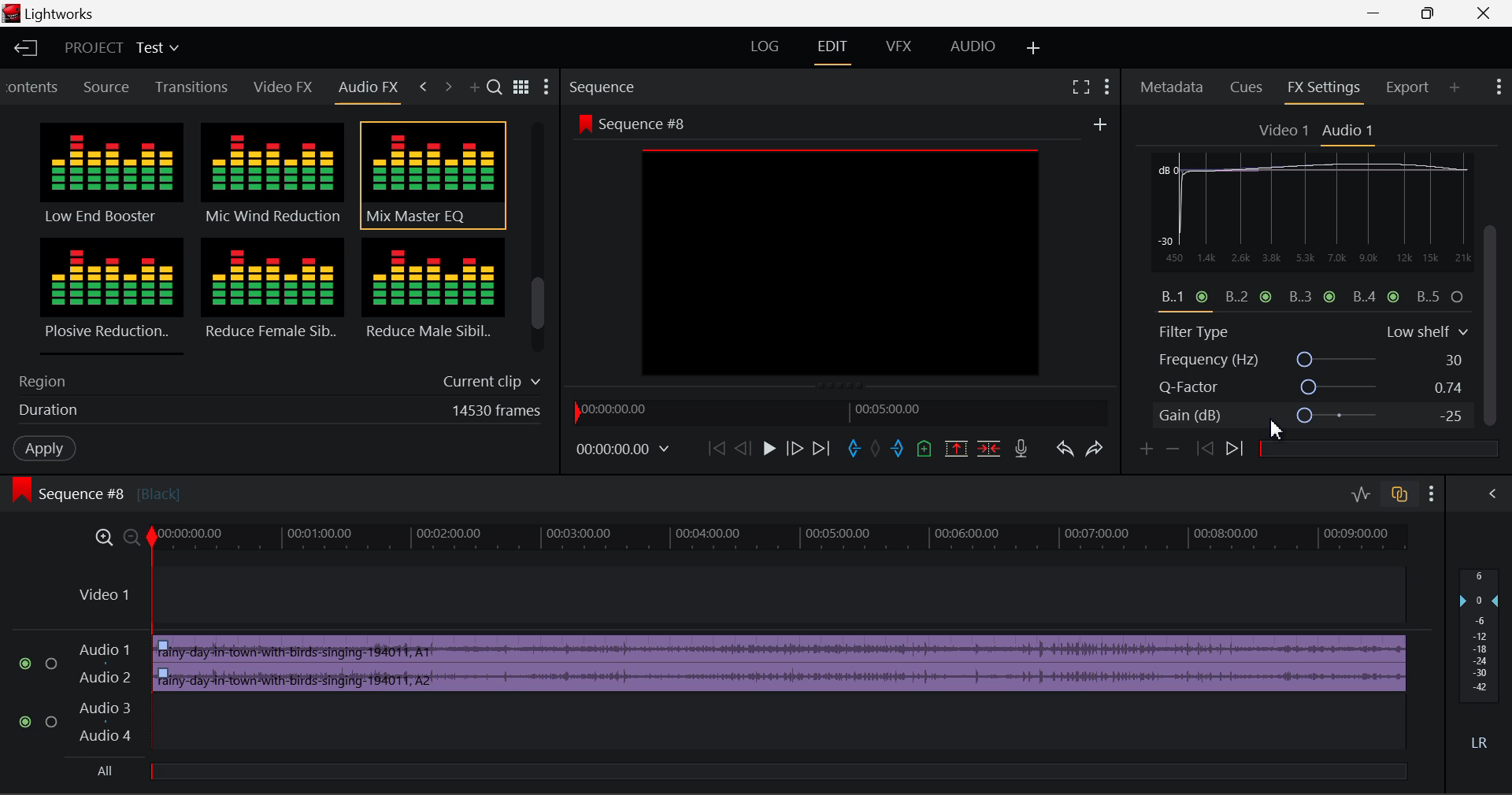  Describe the element at coordinates (1099, 453) in the screenshot. I see `Redo` at that location.